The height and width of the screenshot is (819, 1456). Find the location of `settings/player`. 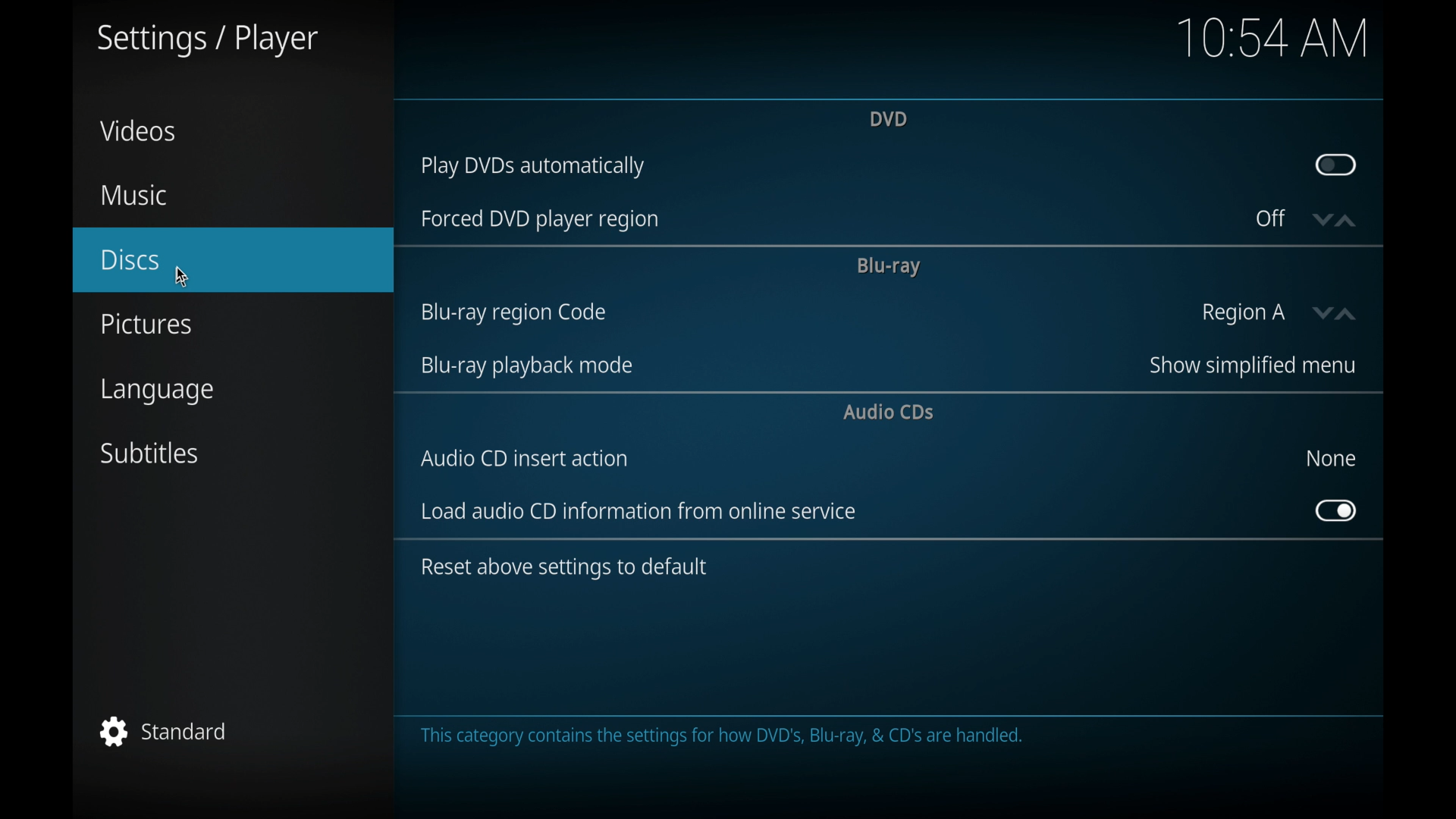

settings/player is located at coordinates (206, 41).